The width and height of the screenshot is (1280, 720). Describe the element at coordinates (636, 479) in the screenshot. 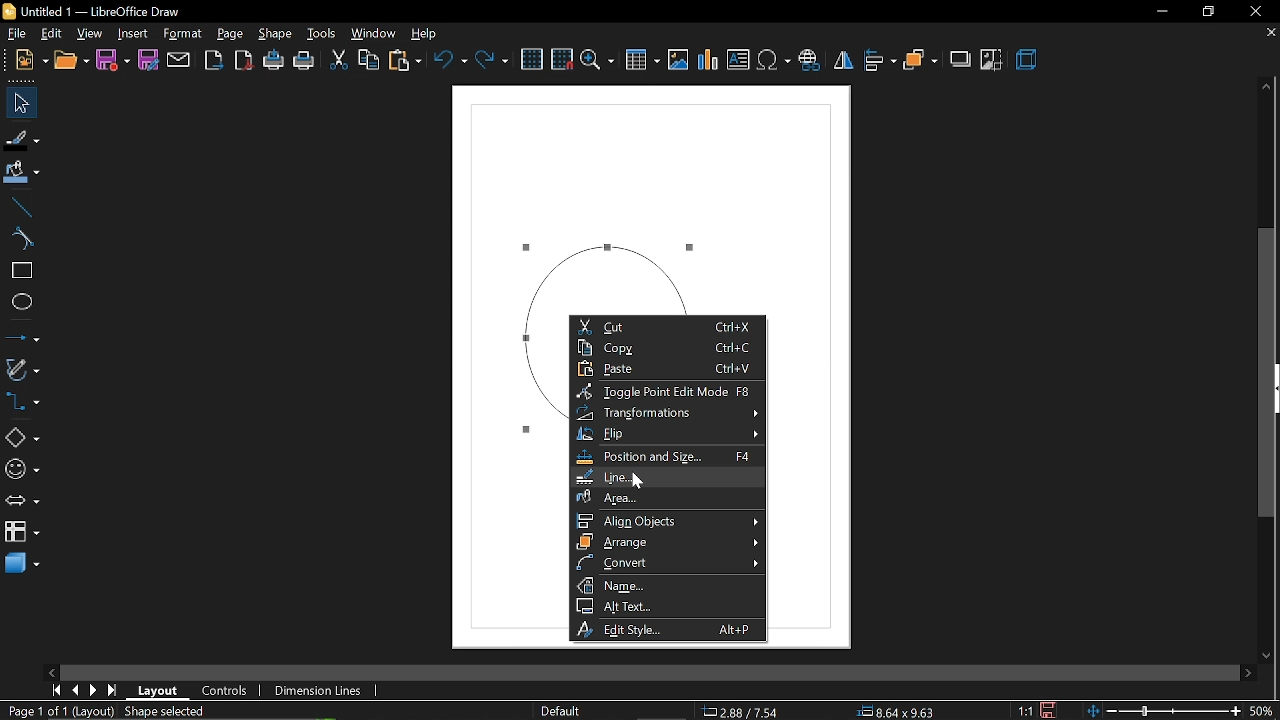

I see `Cursor` at that location.